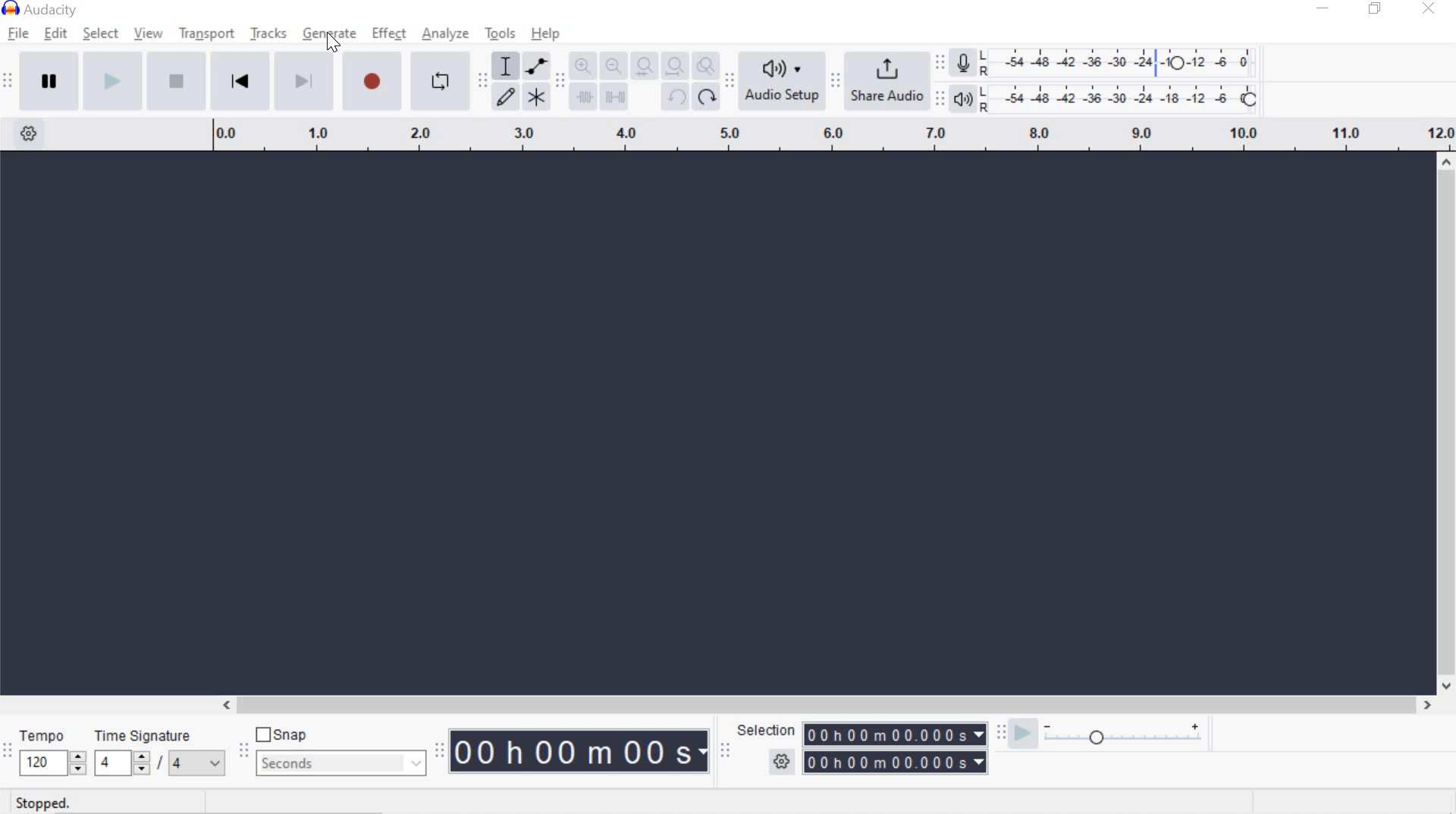 The height and width of the screenshot is (814, 1456). Describe the element at coordinates (1123, 98) in the screenshot. I see `Playback level` at that location.